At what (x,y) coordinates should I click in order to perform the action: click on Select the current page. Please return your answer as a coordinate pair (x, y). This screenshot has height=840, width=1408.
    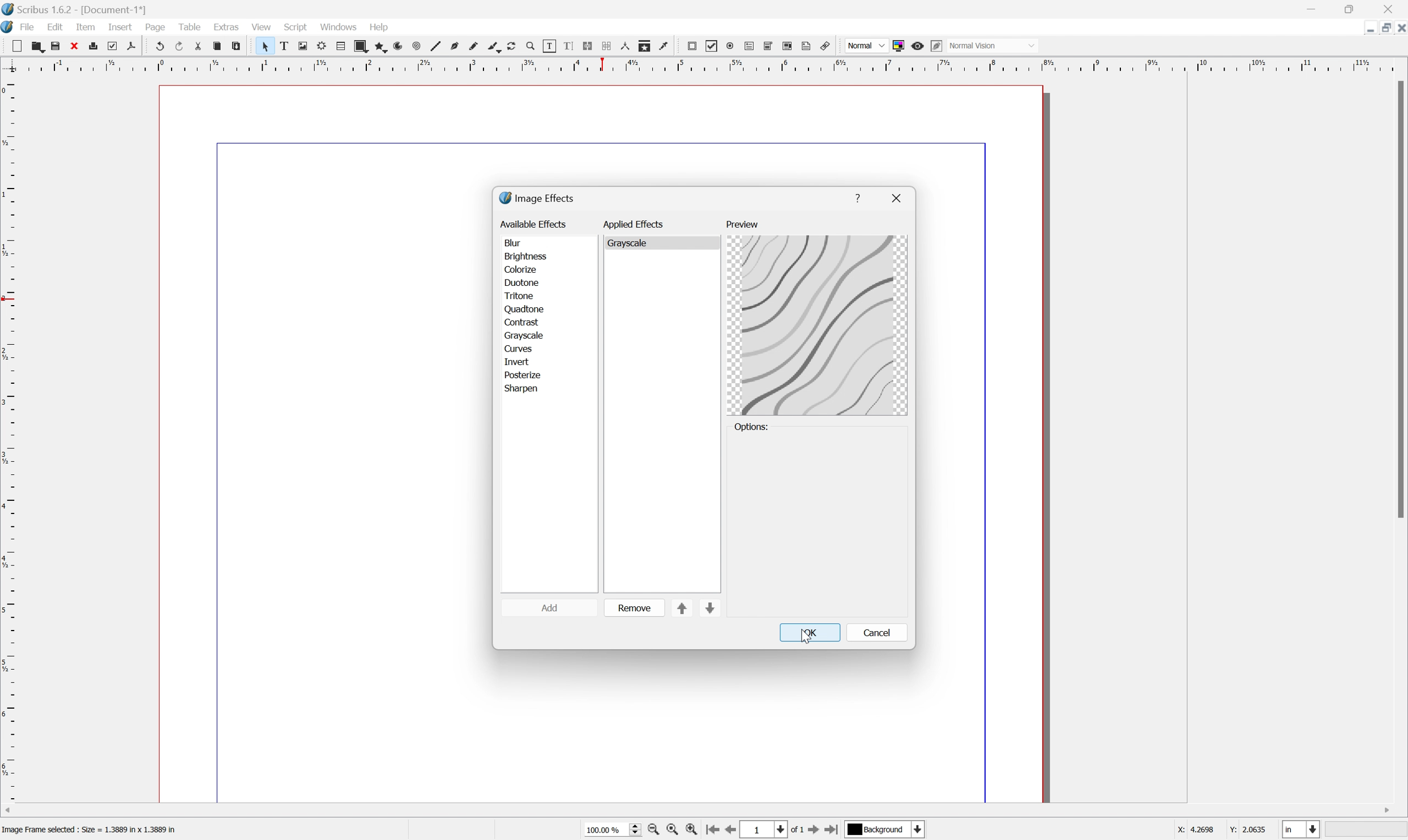
    Looking at the image, I should click on (766, 830).